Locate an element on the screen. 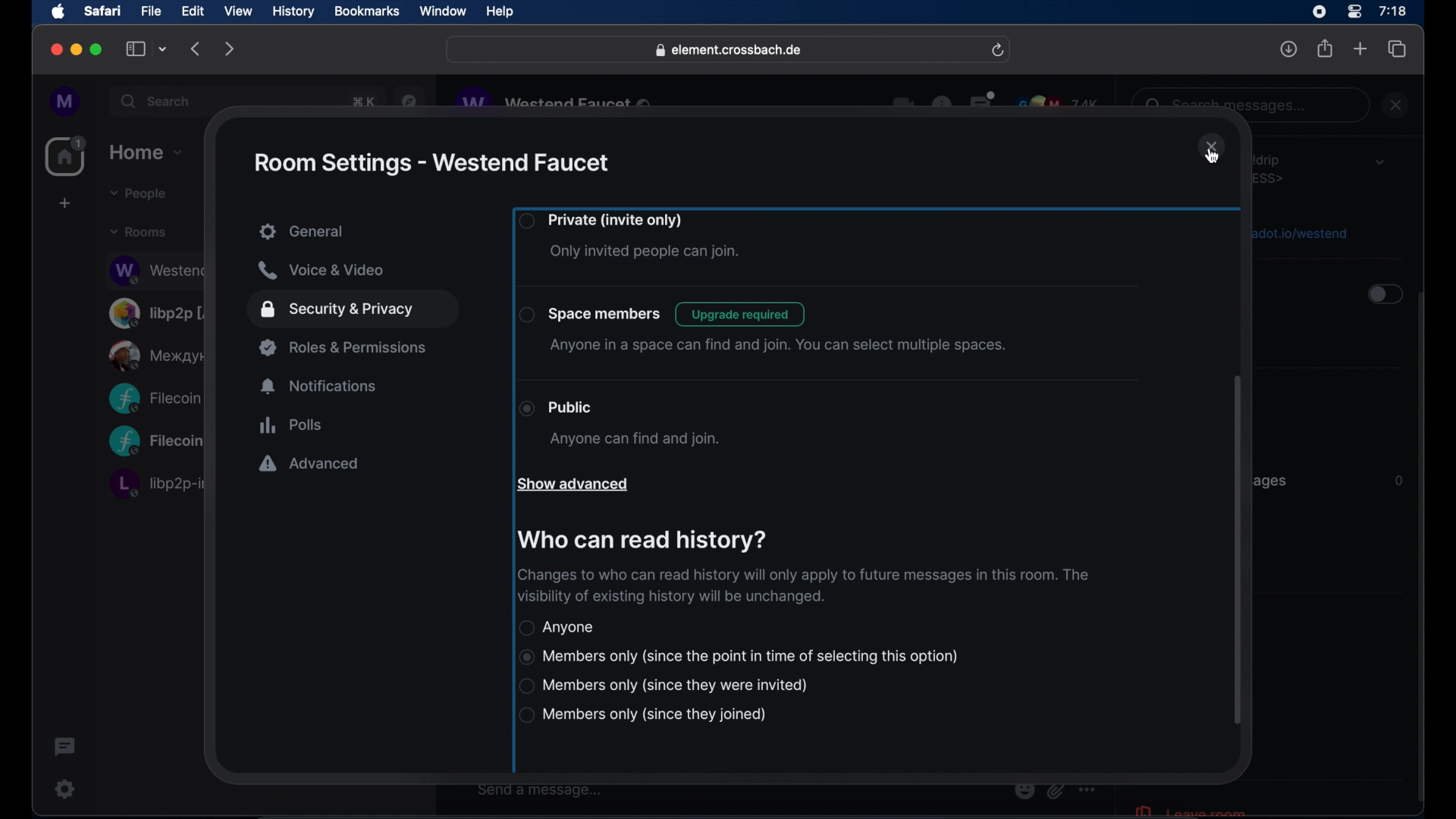 This screenshot has height=819, width=1456. obscure is located at coordinates (155, 483).